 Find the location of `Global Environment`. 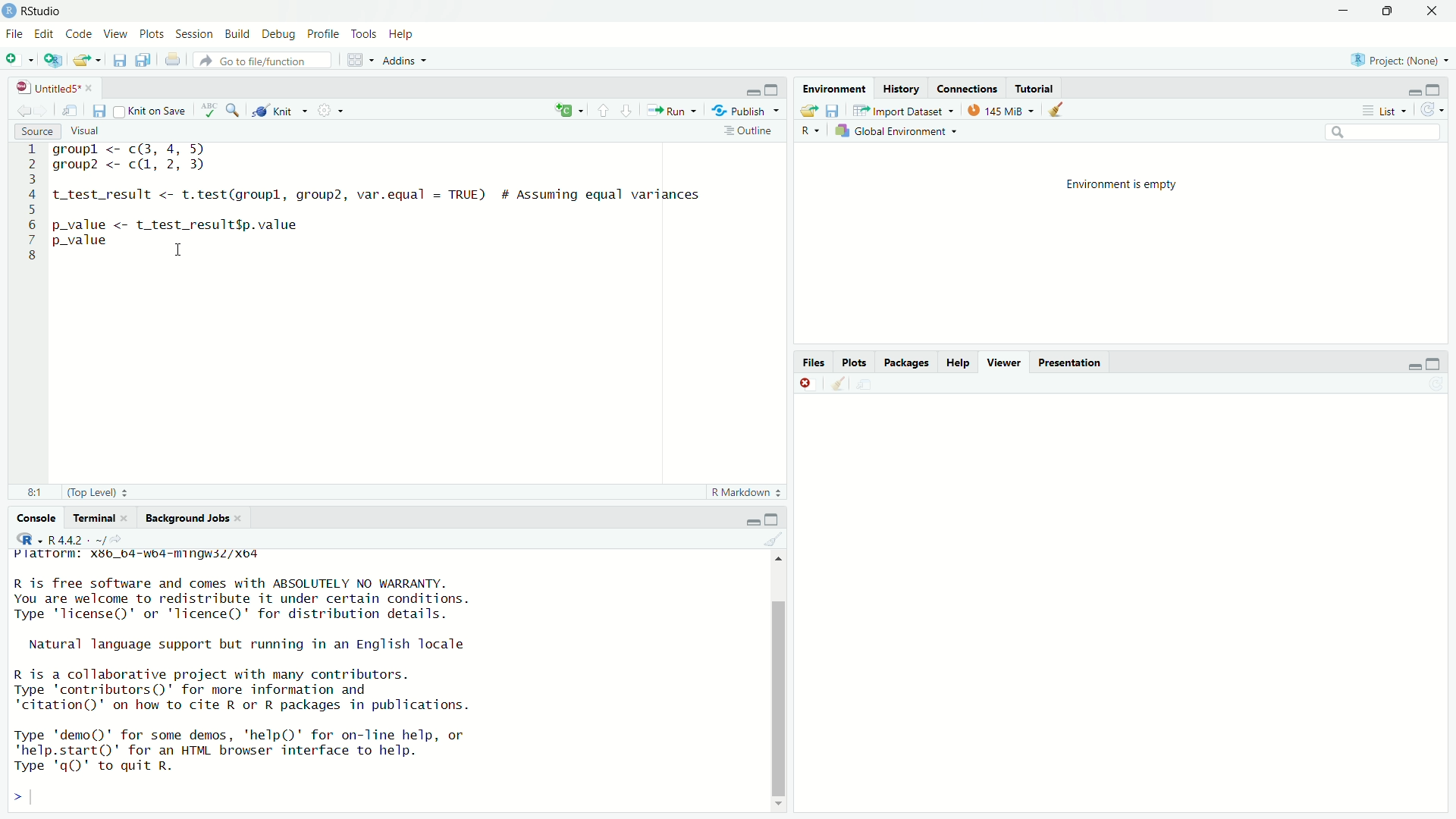

Global Environment is located at coordinates (898, 131).